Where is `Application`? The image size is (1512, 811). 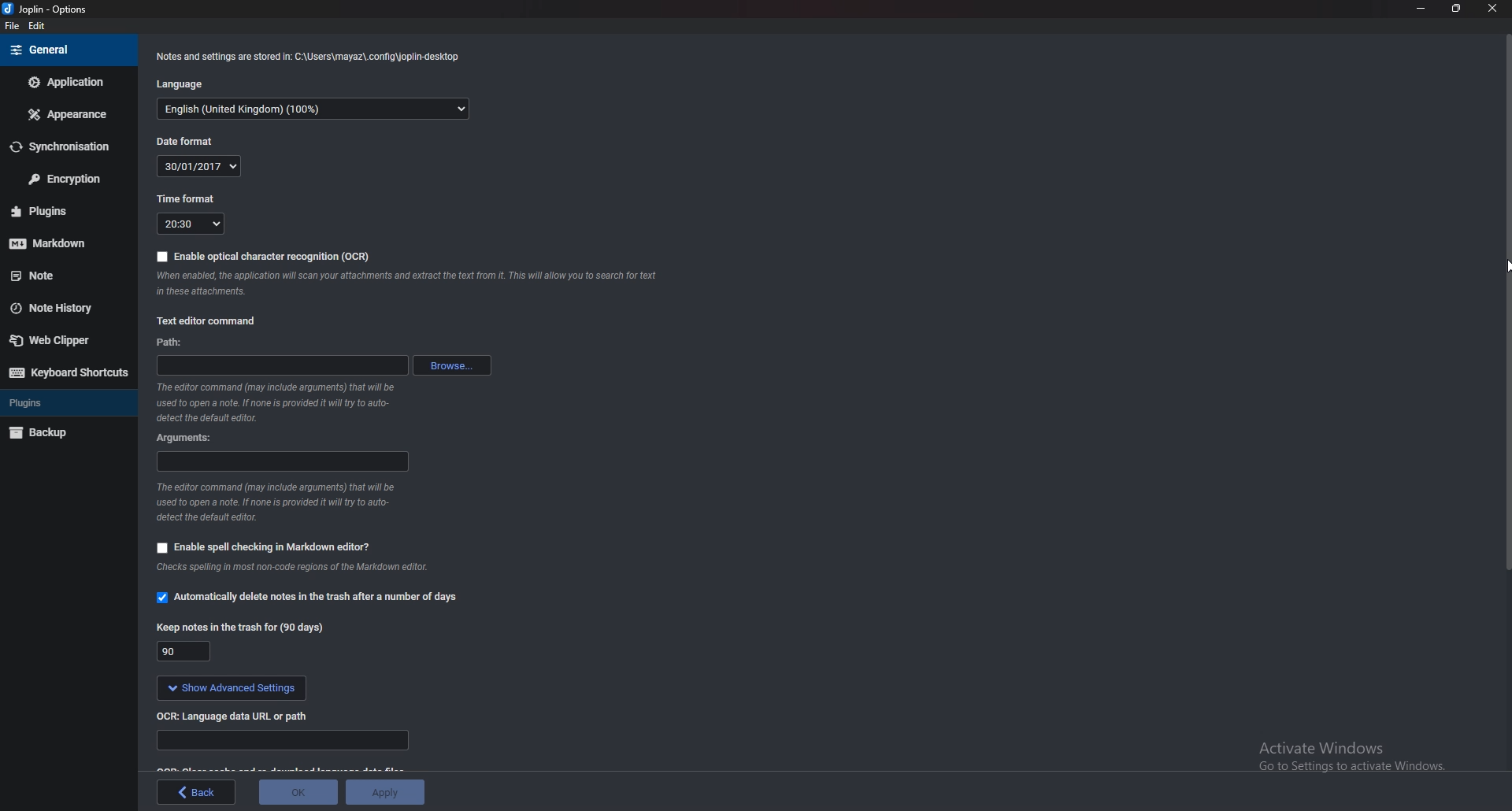 Application is located at coordinates (67, 83).